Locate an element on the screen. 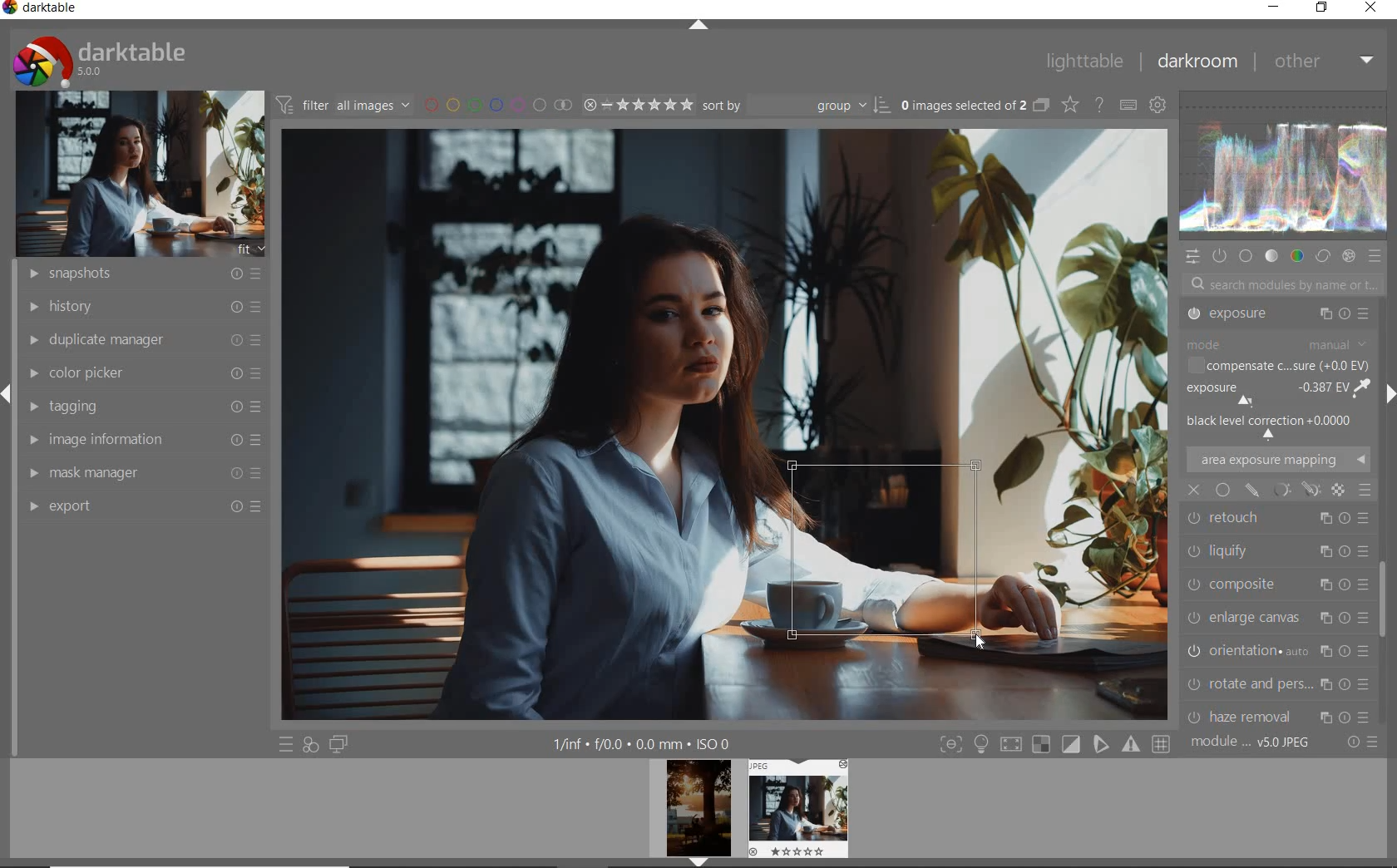 Image resolution: width=1397 pixels, height=868 pixels. COLLAPSE GROUPED IMAGE is located at coordinates (1040, 106).